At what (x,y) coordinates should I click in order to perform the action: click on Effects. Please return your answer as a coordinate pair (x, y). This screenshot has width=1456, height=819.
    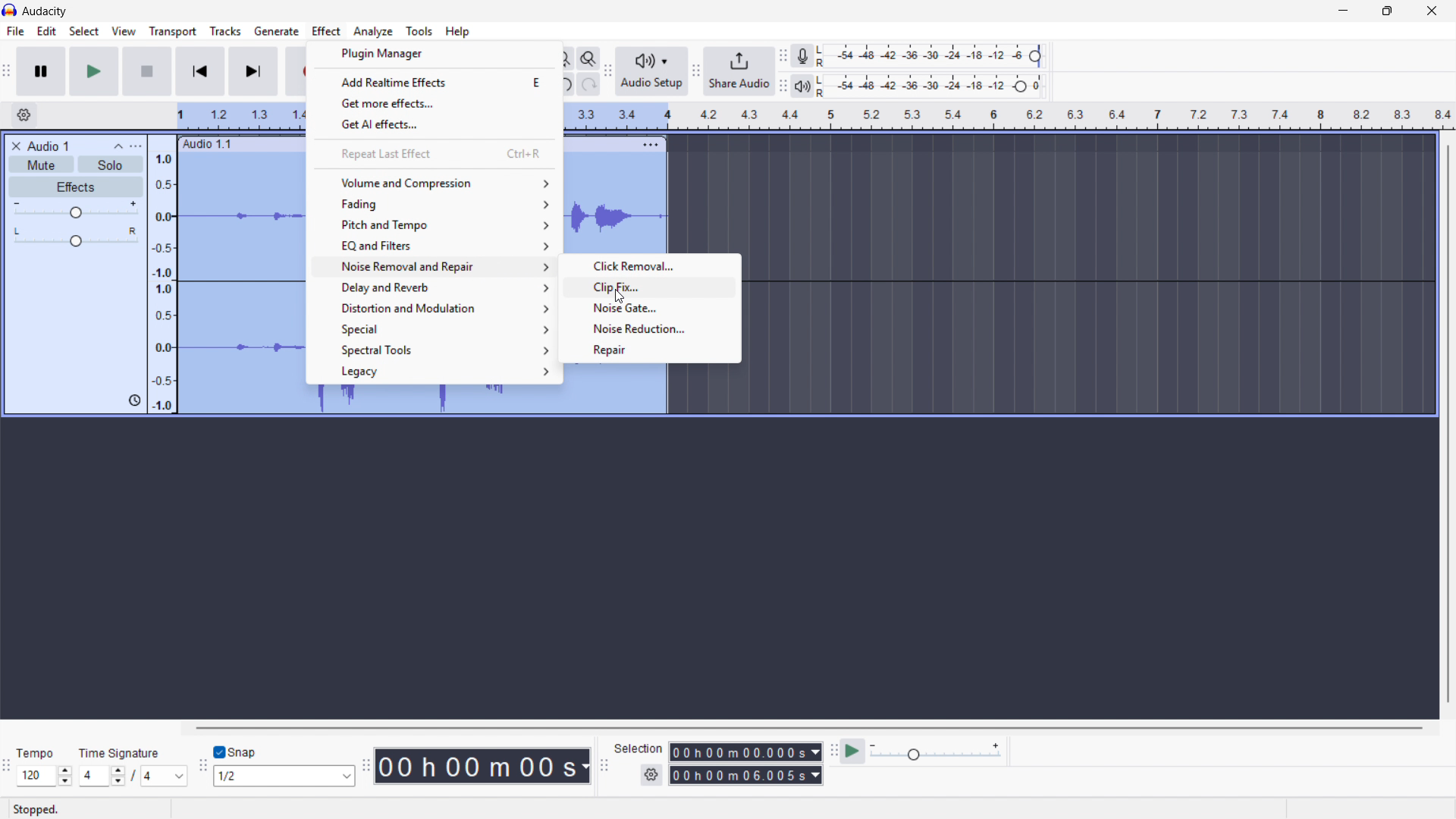
    Looking at the image, I should click on (77, 188).